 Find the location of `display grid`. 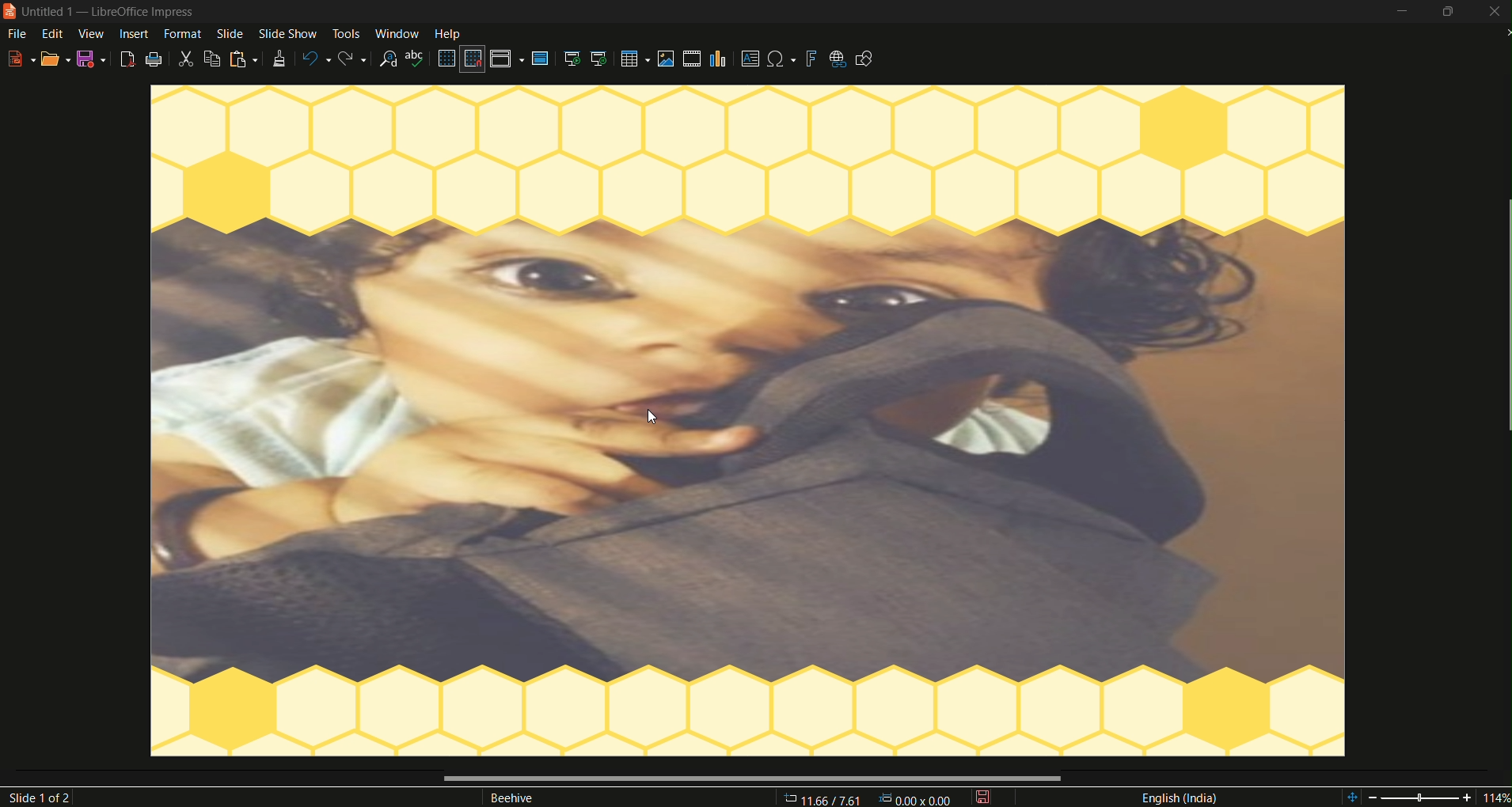

display grid is located at coordinates (446, 59).